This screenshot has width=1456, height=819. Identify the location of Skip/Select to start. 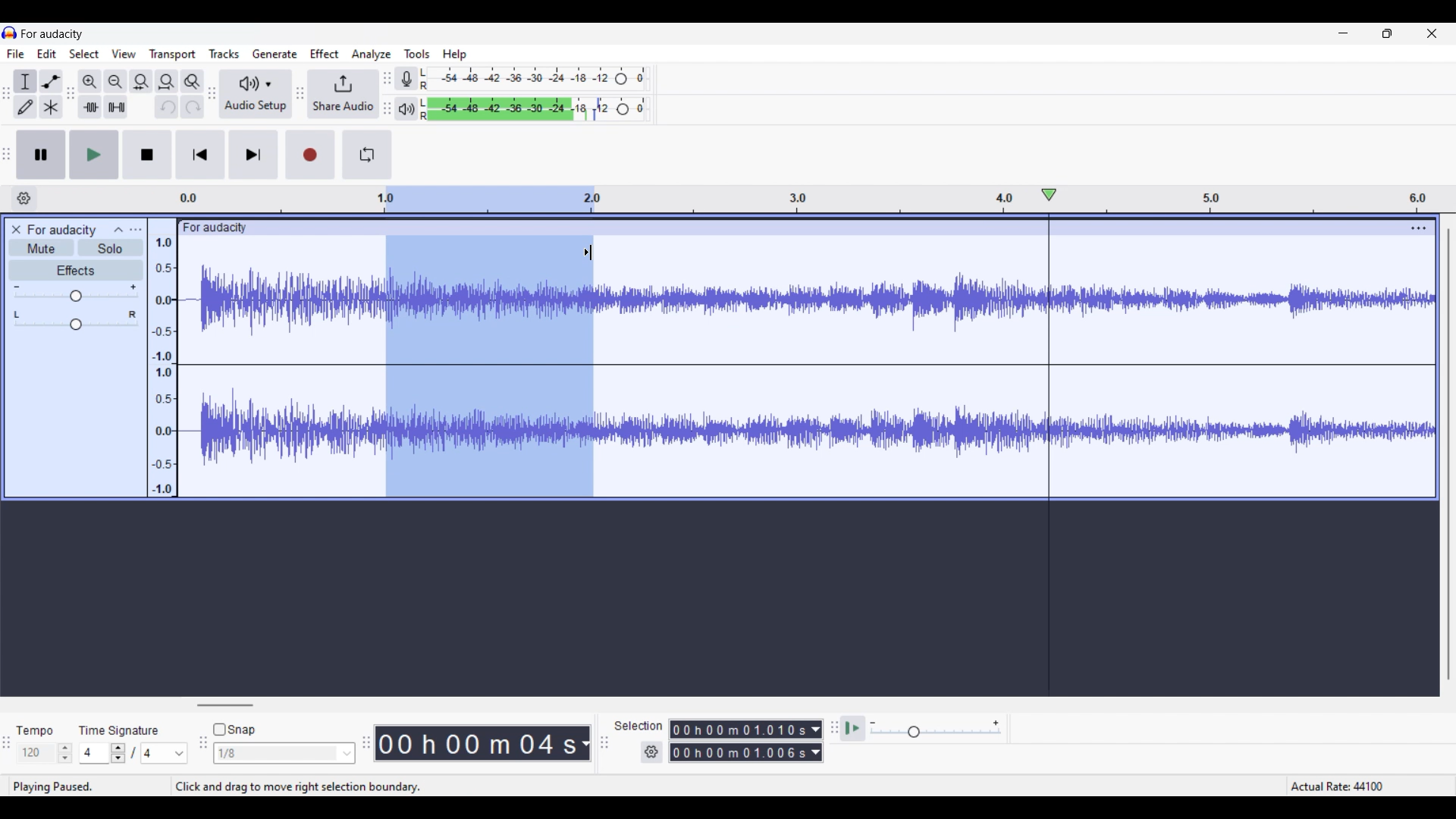
(200, 155).